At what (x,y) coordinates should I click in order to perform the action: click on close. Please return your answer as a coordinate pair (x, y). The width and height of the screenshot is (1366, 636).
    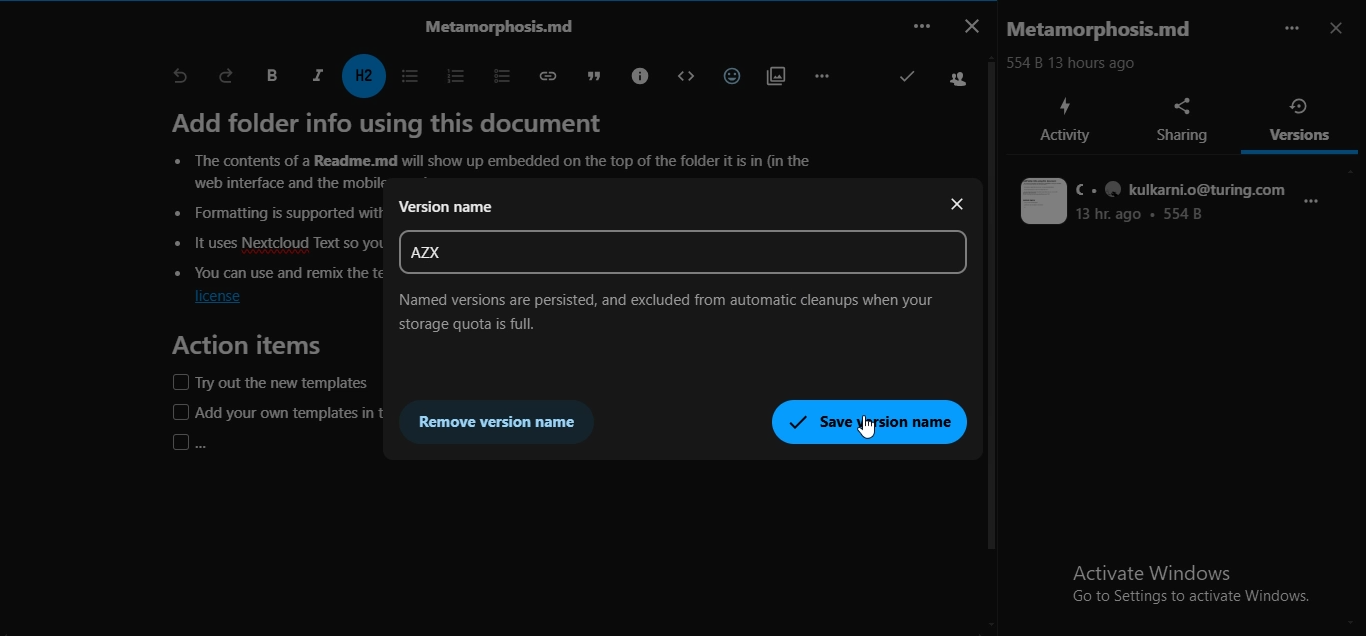
    Looking at the image, I should click on (970, 24).